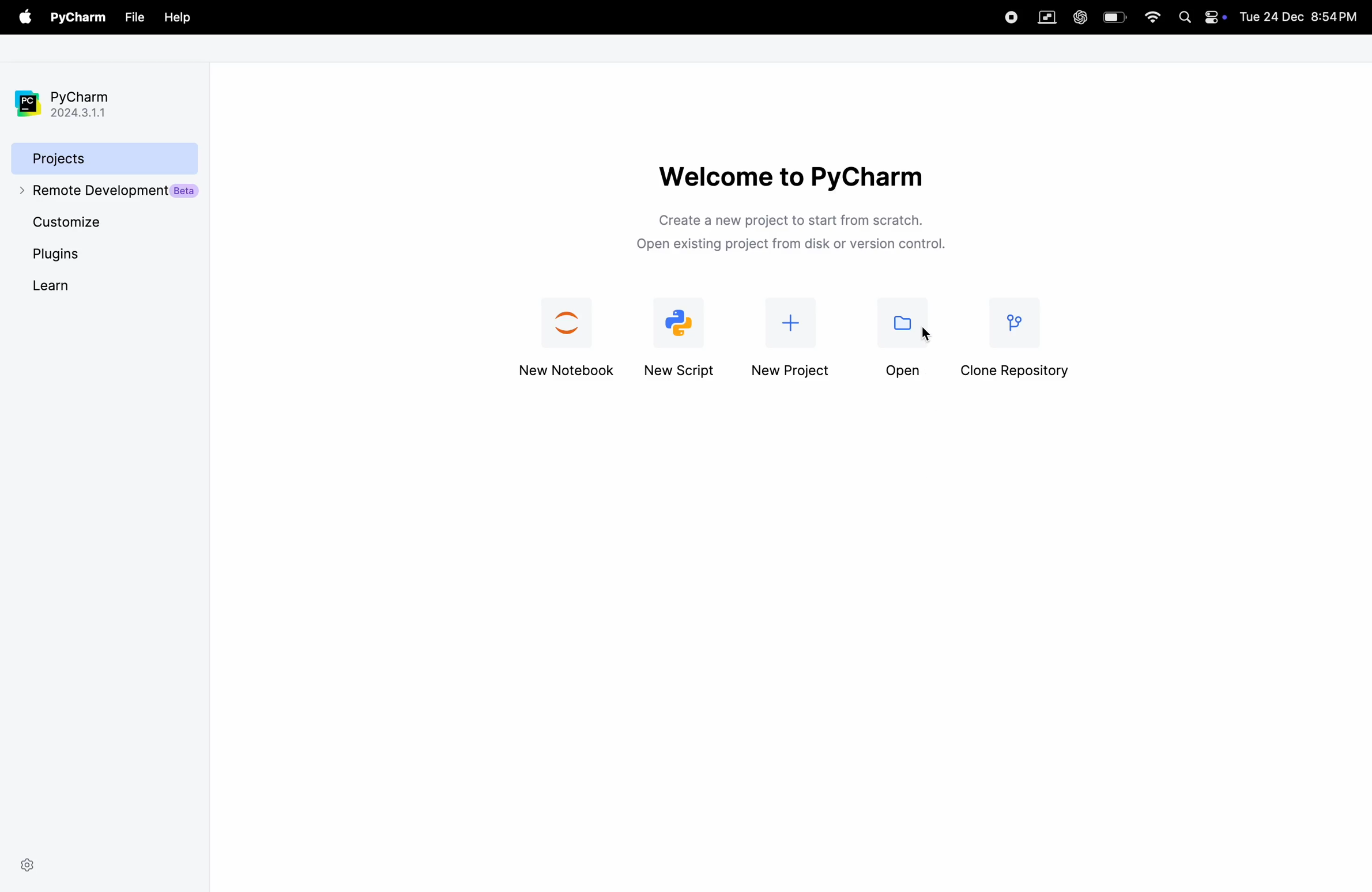  I want to click on parallel space, so click(1044, 16).